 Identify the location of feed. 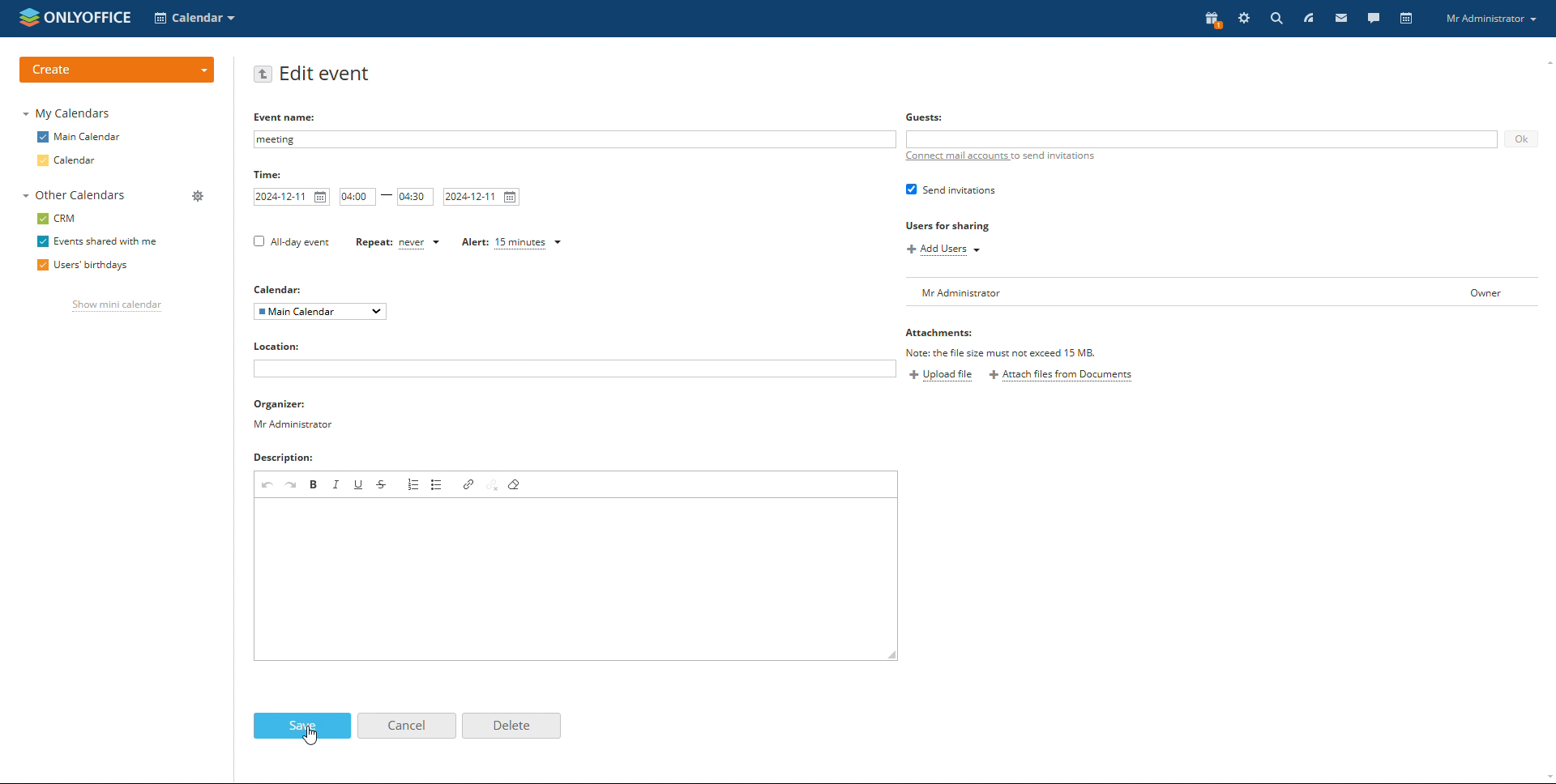
(1310, 17).